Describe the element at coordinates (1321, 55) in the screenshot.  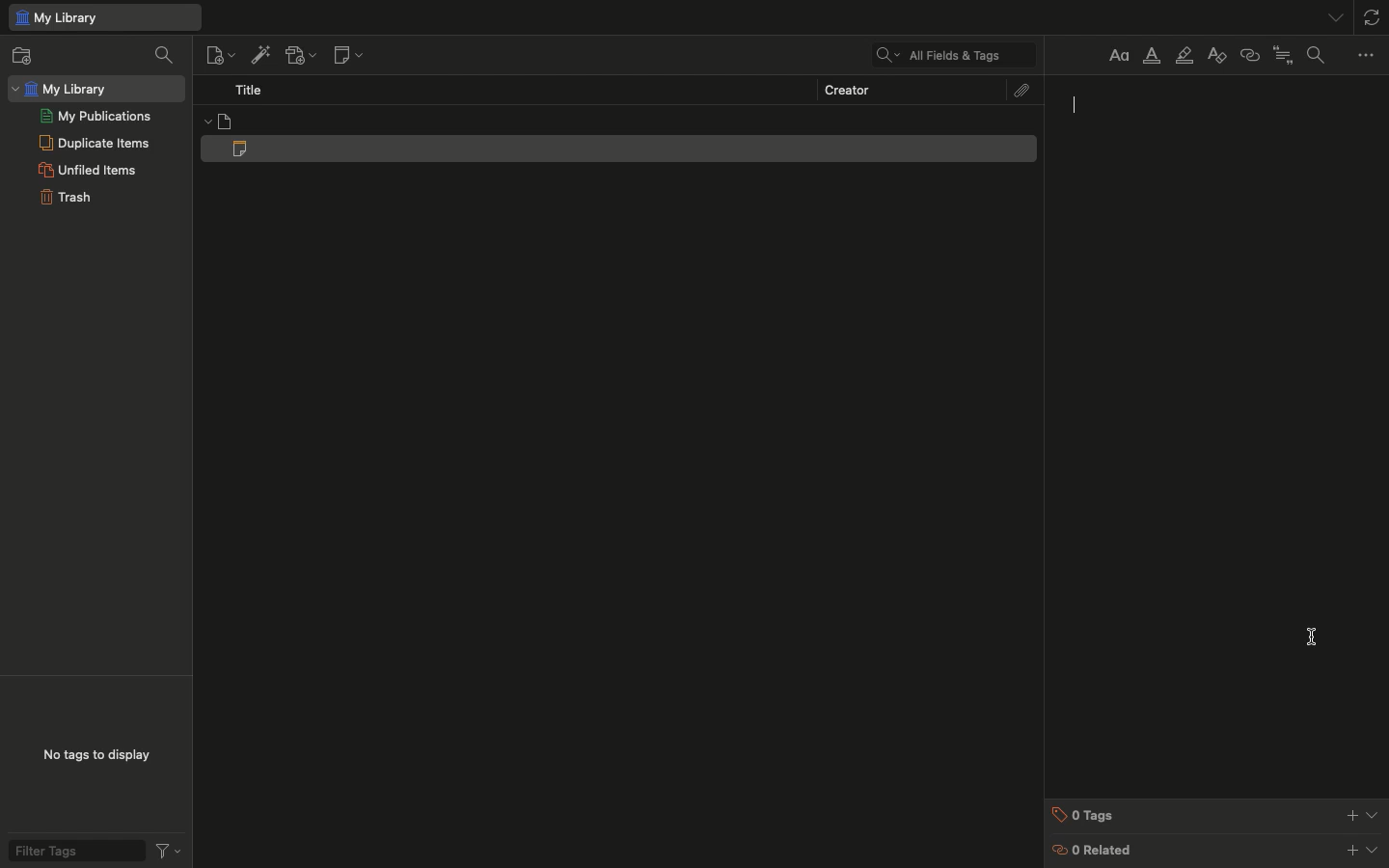
I see `Find and replace` at that location.